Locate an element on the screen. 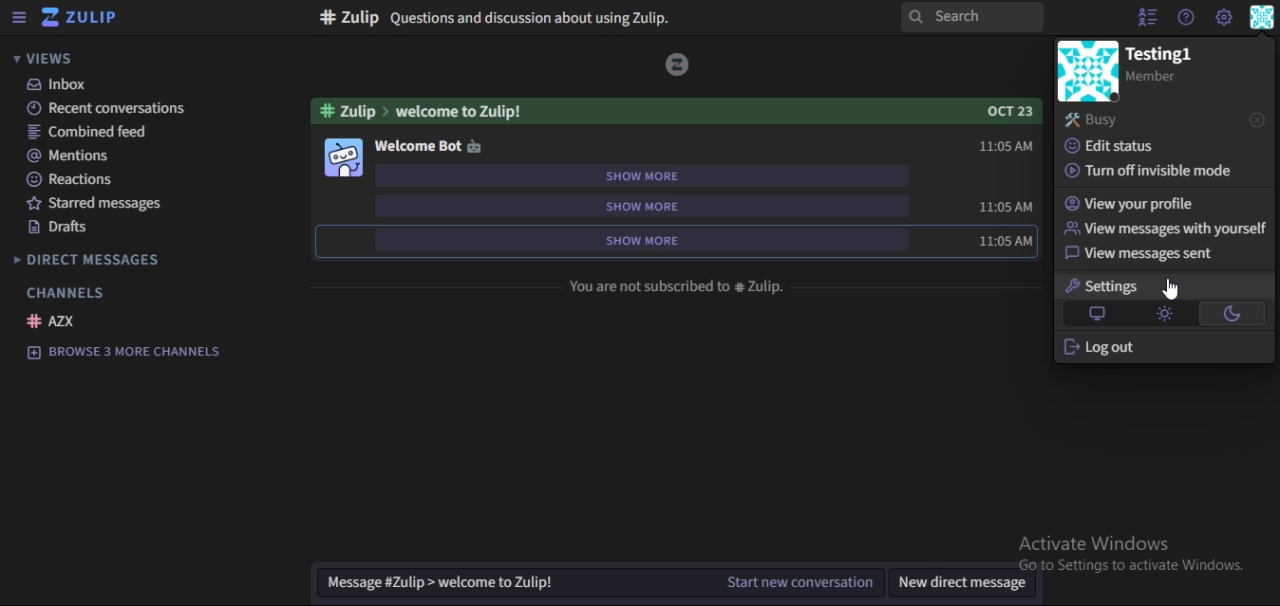  Close is located at coordinates (1257, 120).